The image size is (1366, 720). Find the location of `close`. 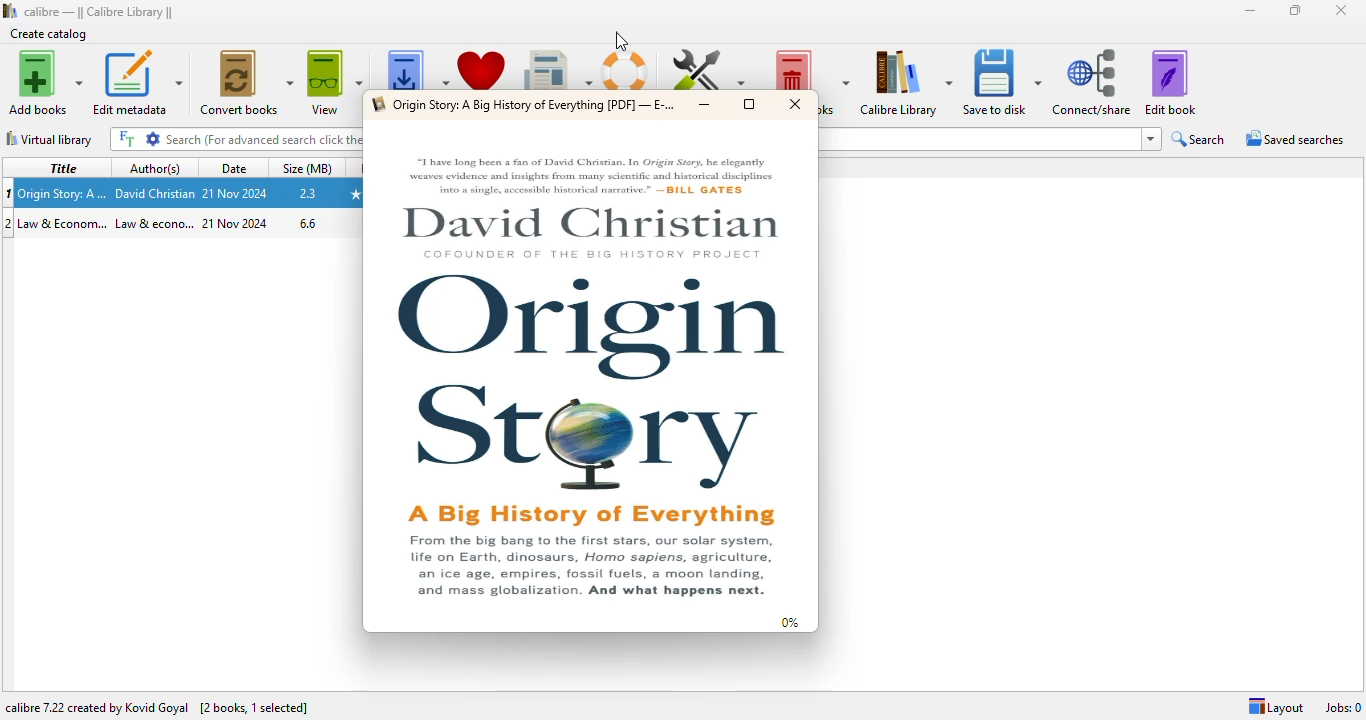

close is located at coordinates (796, 104).